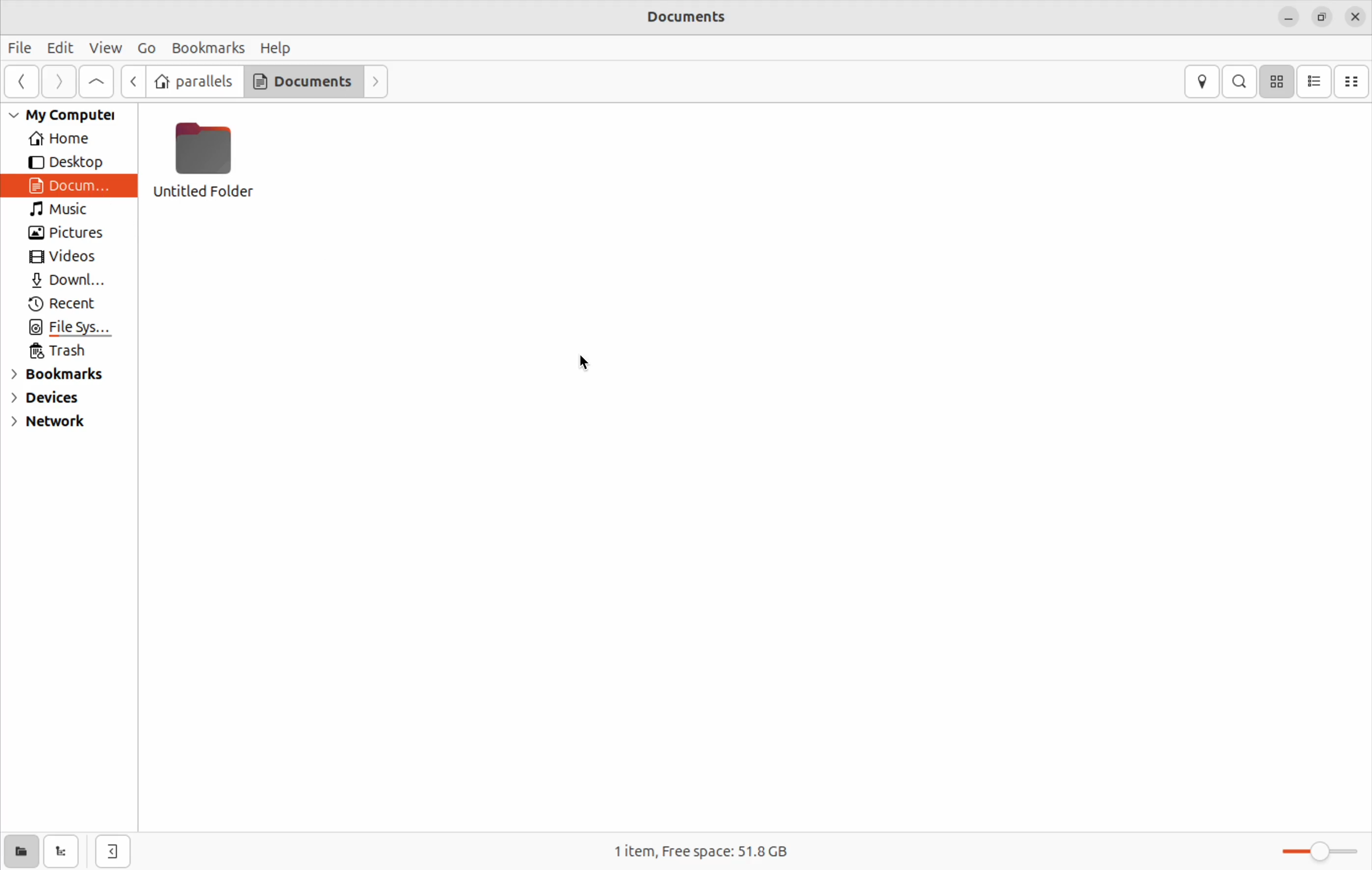  I want to click on View, so click(106, 46).